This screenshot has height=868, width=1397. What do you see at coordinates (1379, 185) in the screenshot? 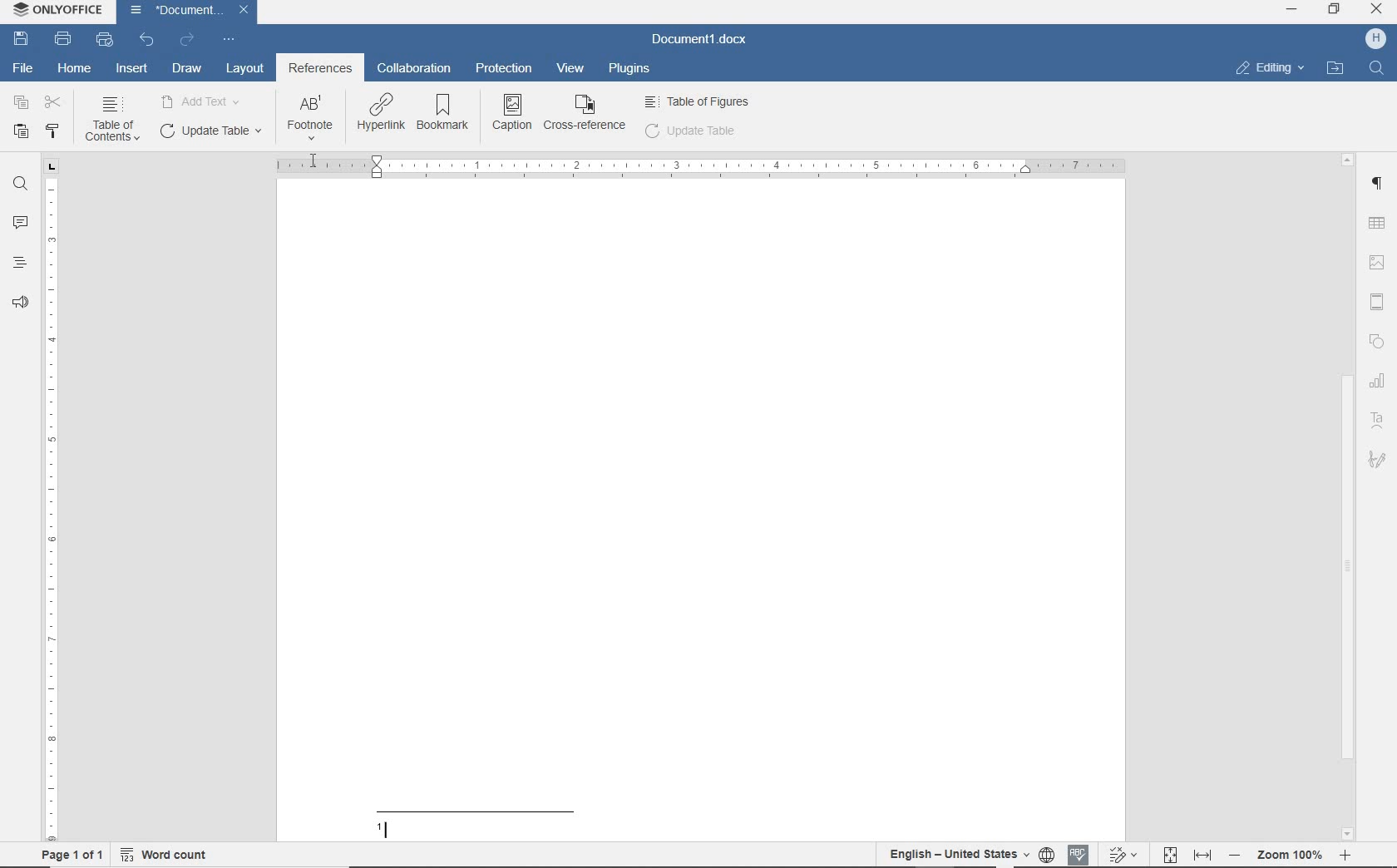
I see `PARAGRAPH SETTINGS` at bounding box center [1379, 185].